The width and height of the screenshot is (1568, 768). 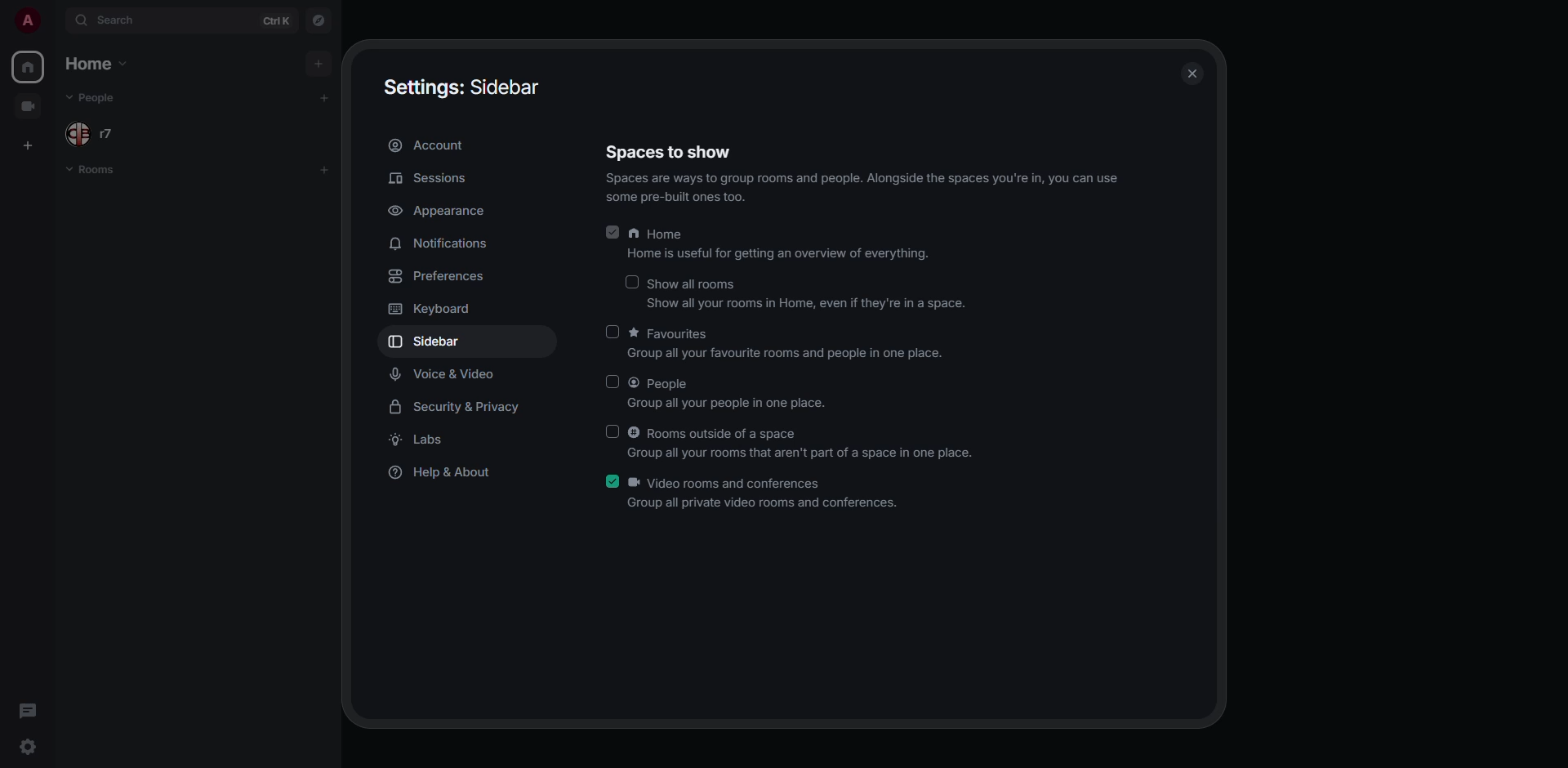 I want to click on spaces to show, so click(x=865, y=169).